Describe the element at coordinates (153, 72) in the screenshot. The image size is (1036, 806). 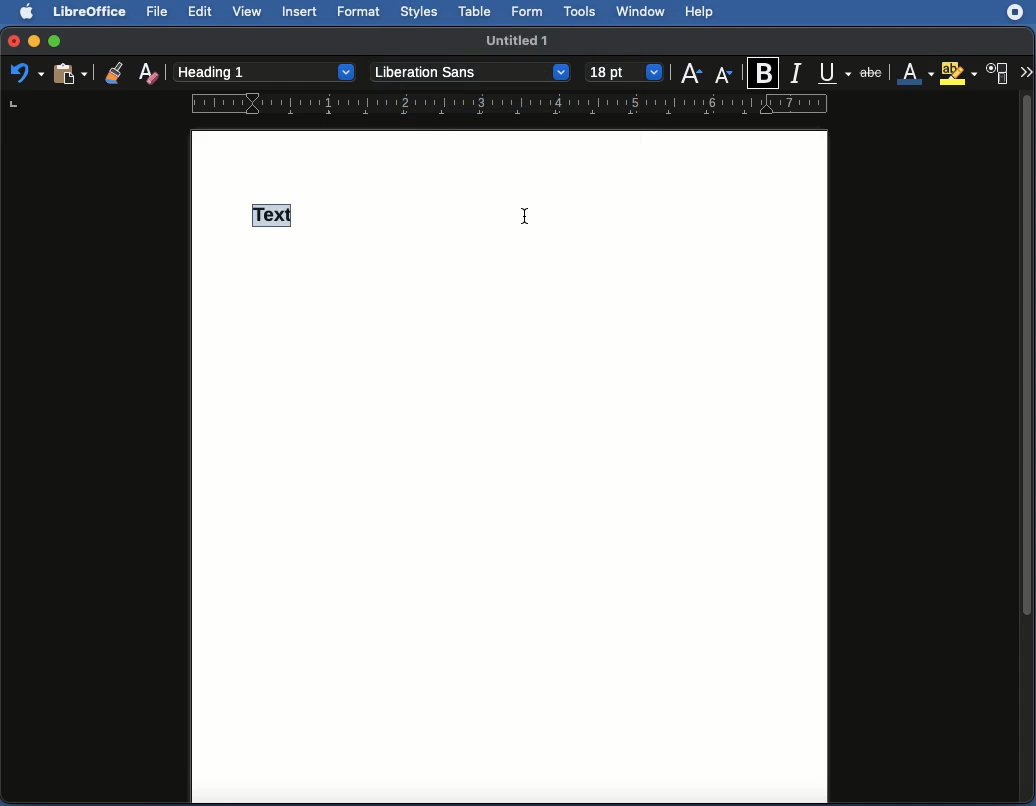
I see `Clear formatting` at that location.